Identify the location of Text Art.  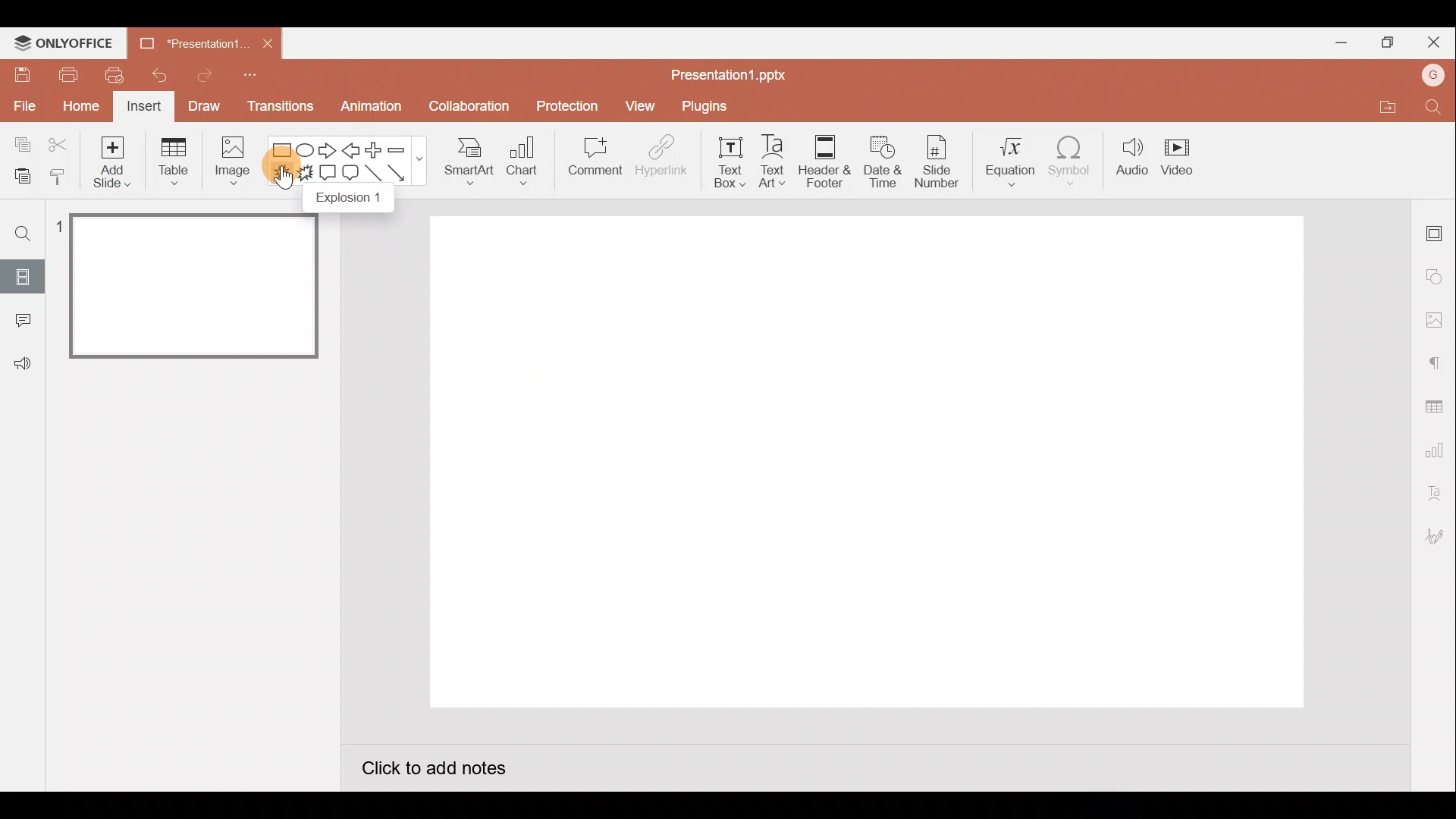
(770, 162).